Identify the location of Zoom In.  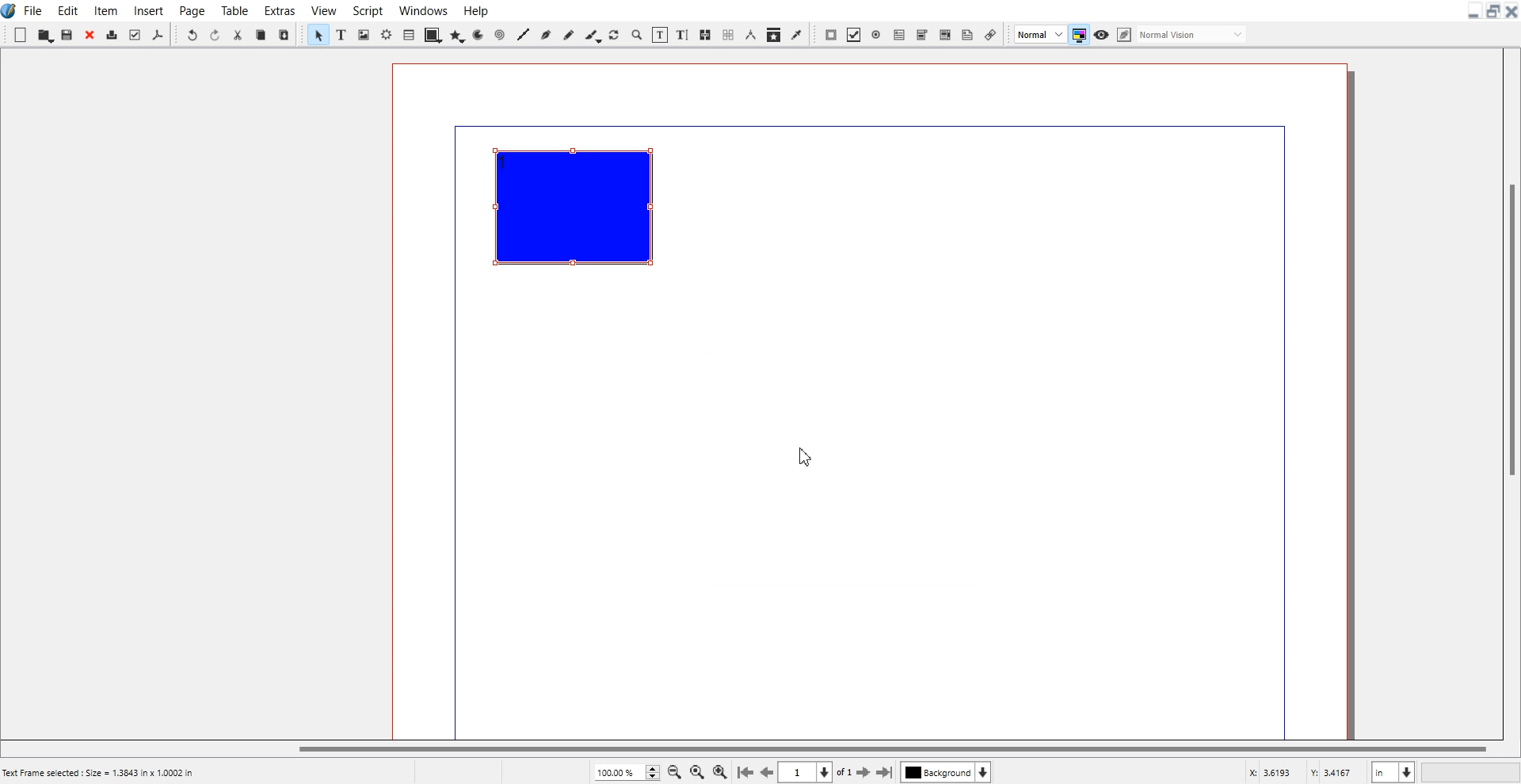
(720, 771).